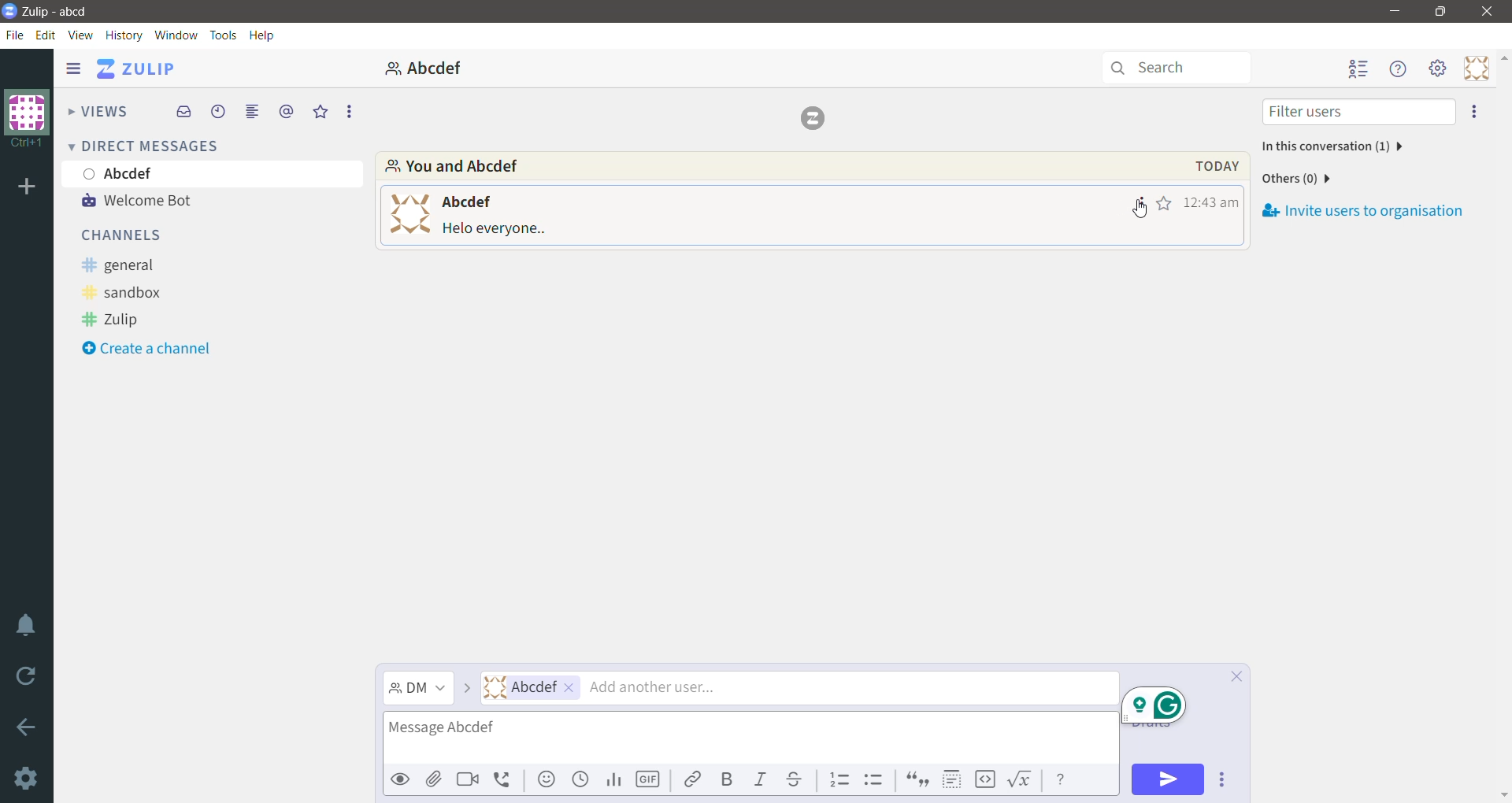 This screenshot has width=1512, height=803. What do you see at coordinates (469, 779) in the screenshot?
I see `Add video call` at bounding box center [469, 779].